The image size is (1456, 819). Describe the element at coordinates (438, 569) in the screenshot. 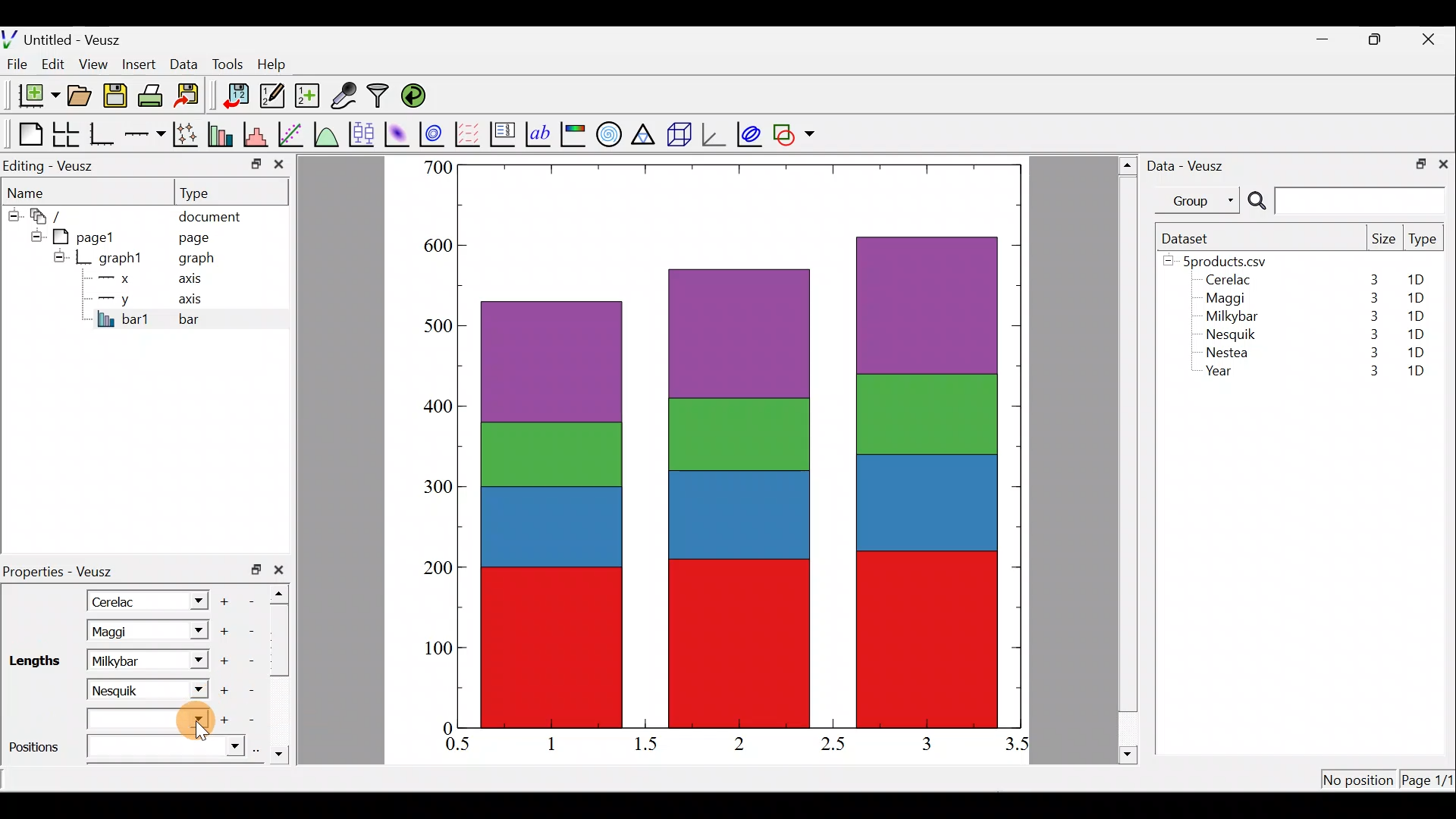

I see `200` at that location.